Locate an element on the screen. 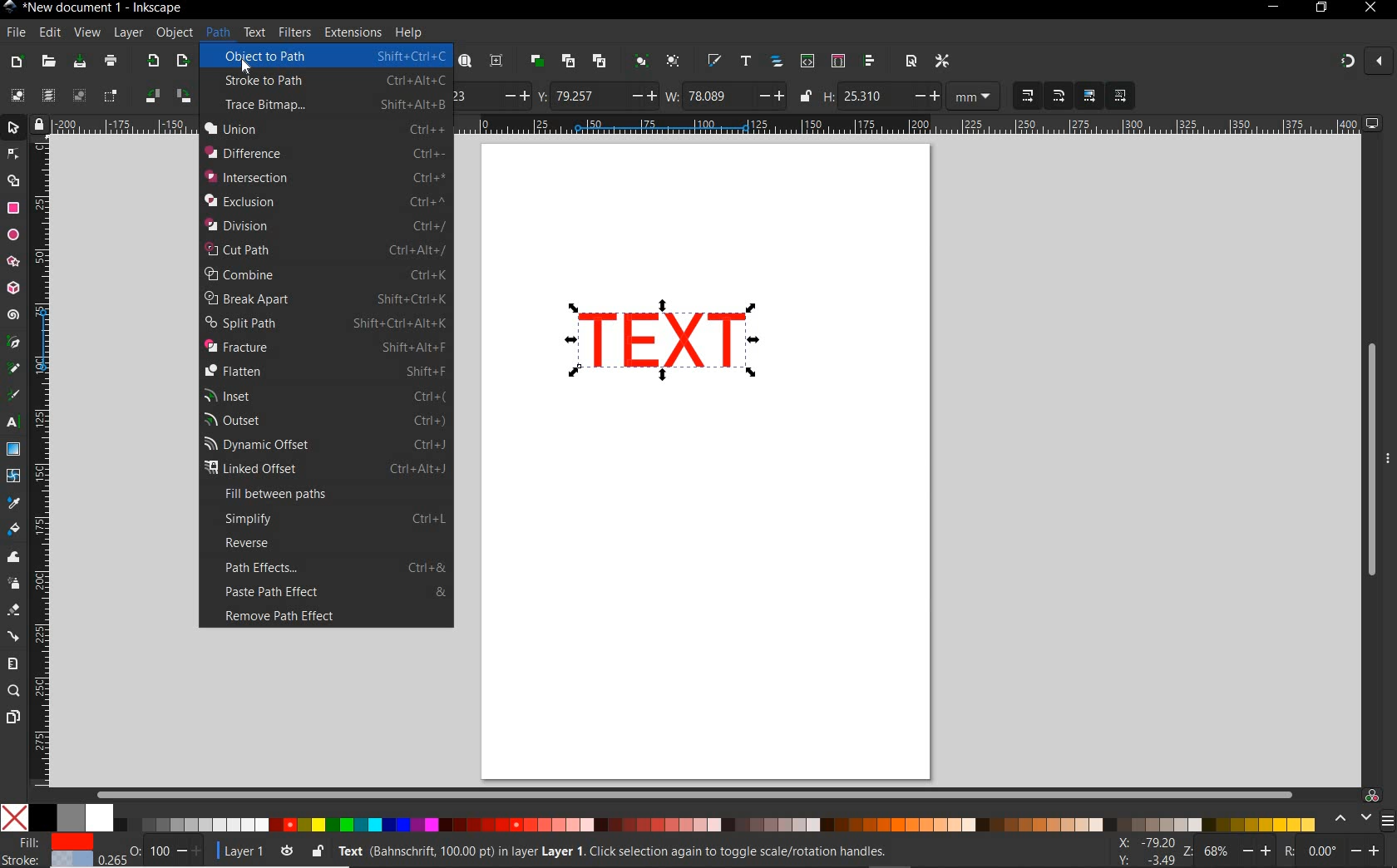  SCROLLBAR is located at coordinates (1365, 458).